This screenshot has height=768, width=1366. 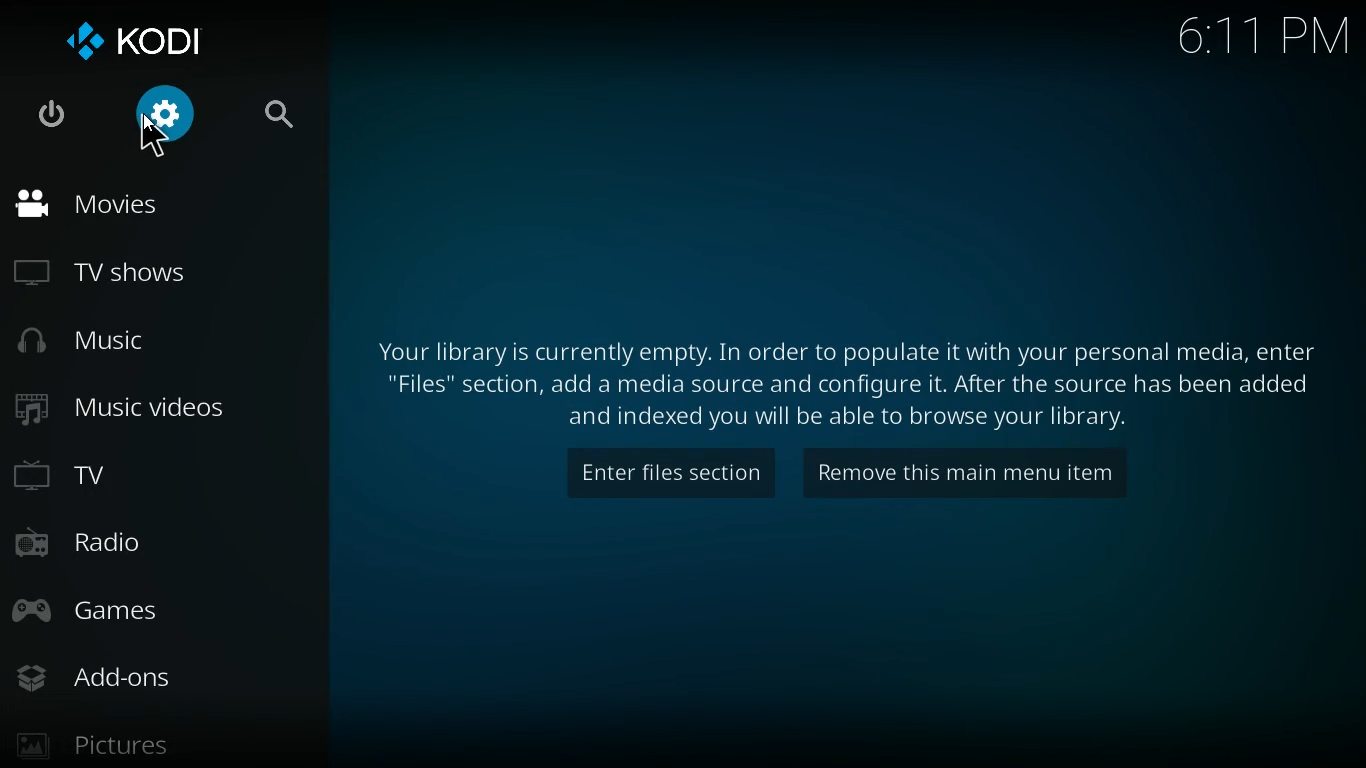 What do you see at coordinates (153, 613) in the screenshot?
I see `games` at bounding box center [153, 613].